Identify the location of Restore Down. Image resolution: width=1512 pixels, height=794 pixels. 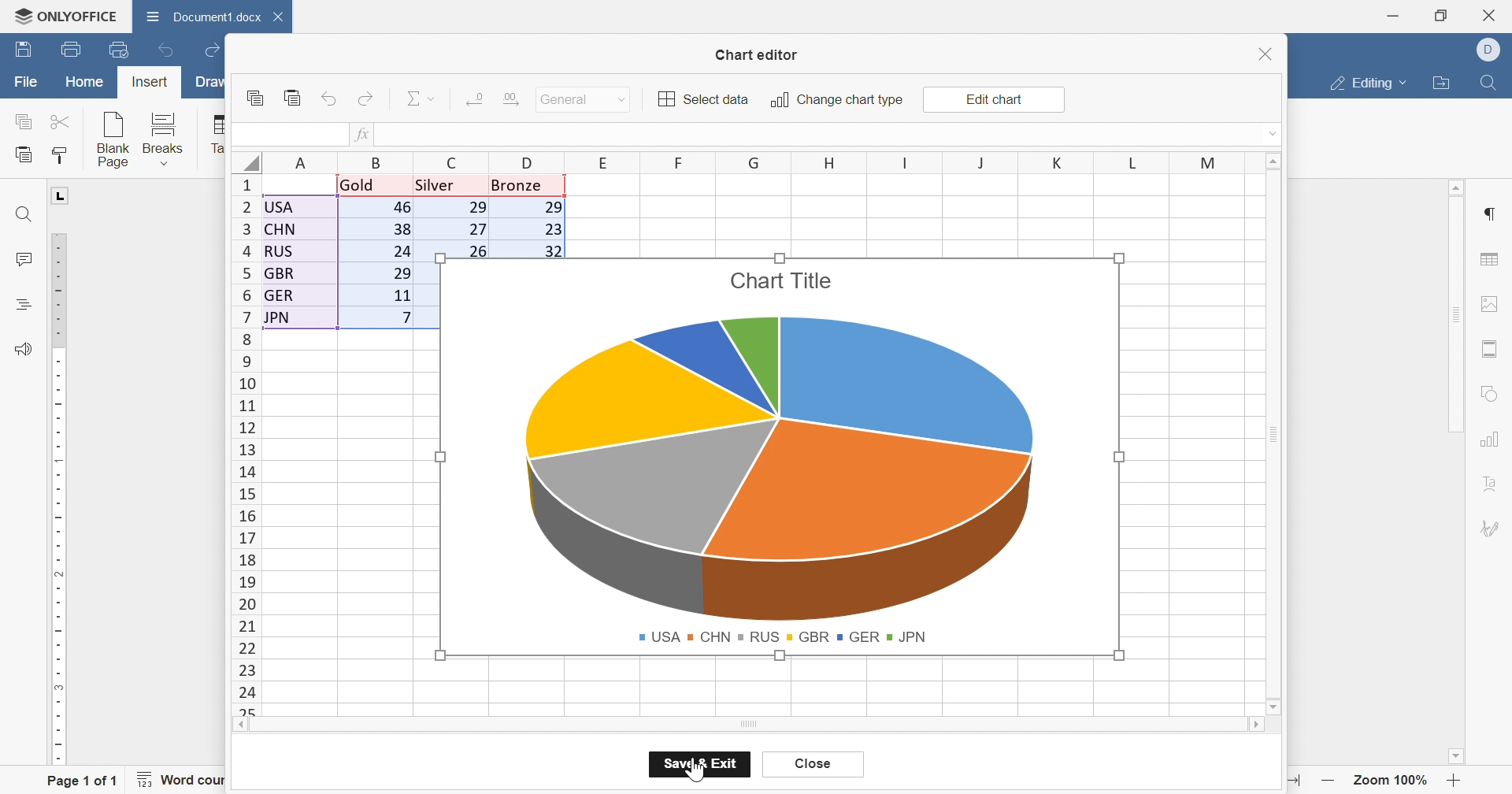
(1443, 15).